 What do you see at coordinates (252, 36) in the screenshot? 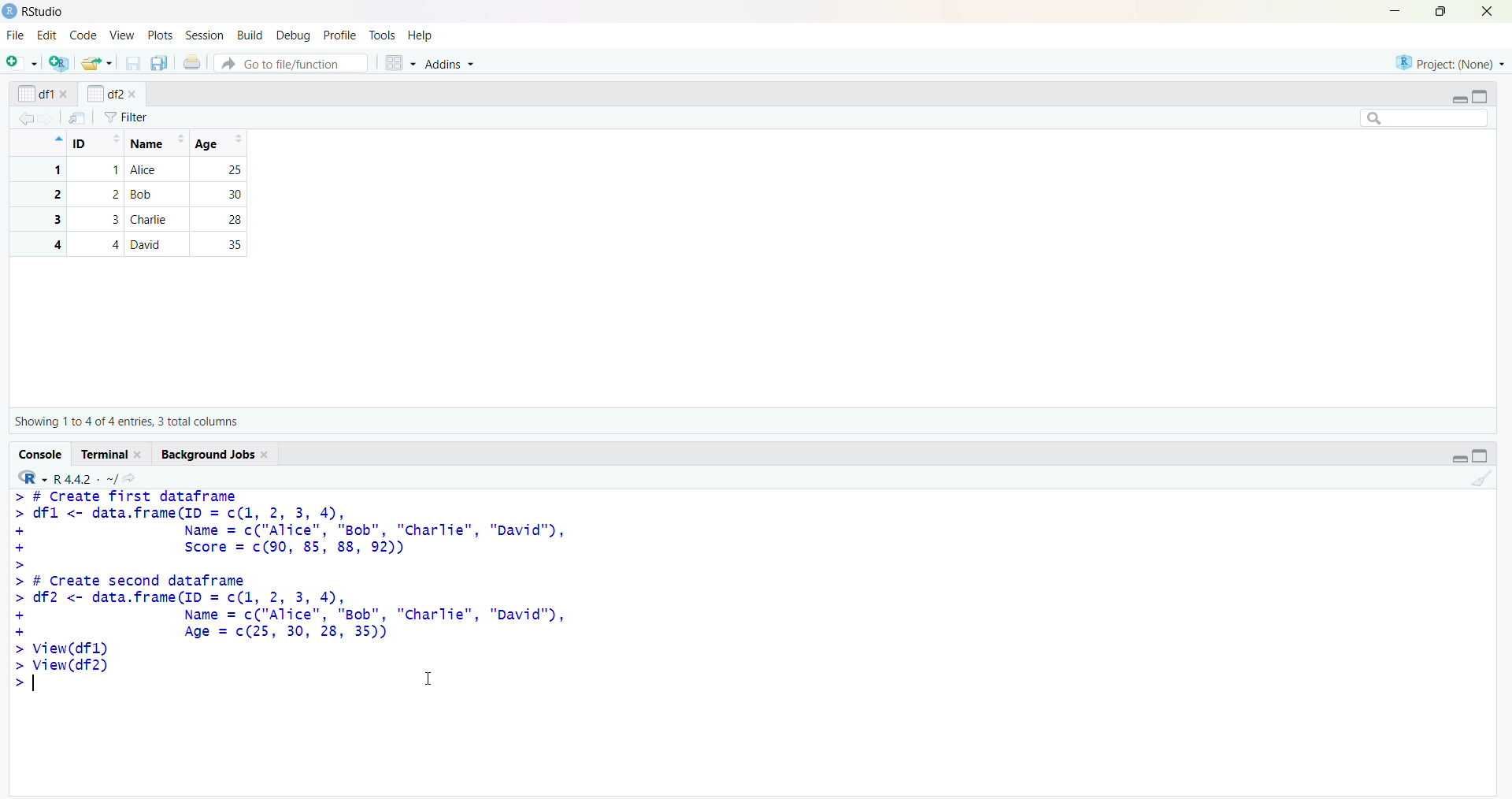
I see `build` at bounding box center [252, 36].